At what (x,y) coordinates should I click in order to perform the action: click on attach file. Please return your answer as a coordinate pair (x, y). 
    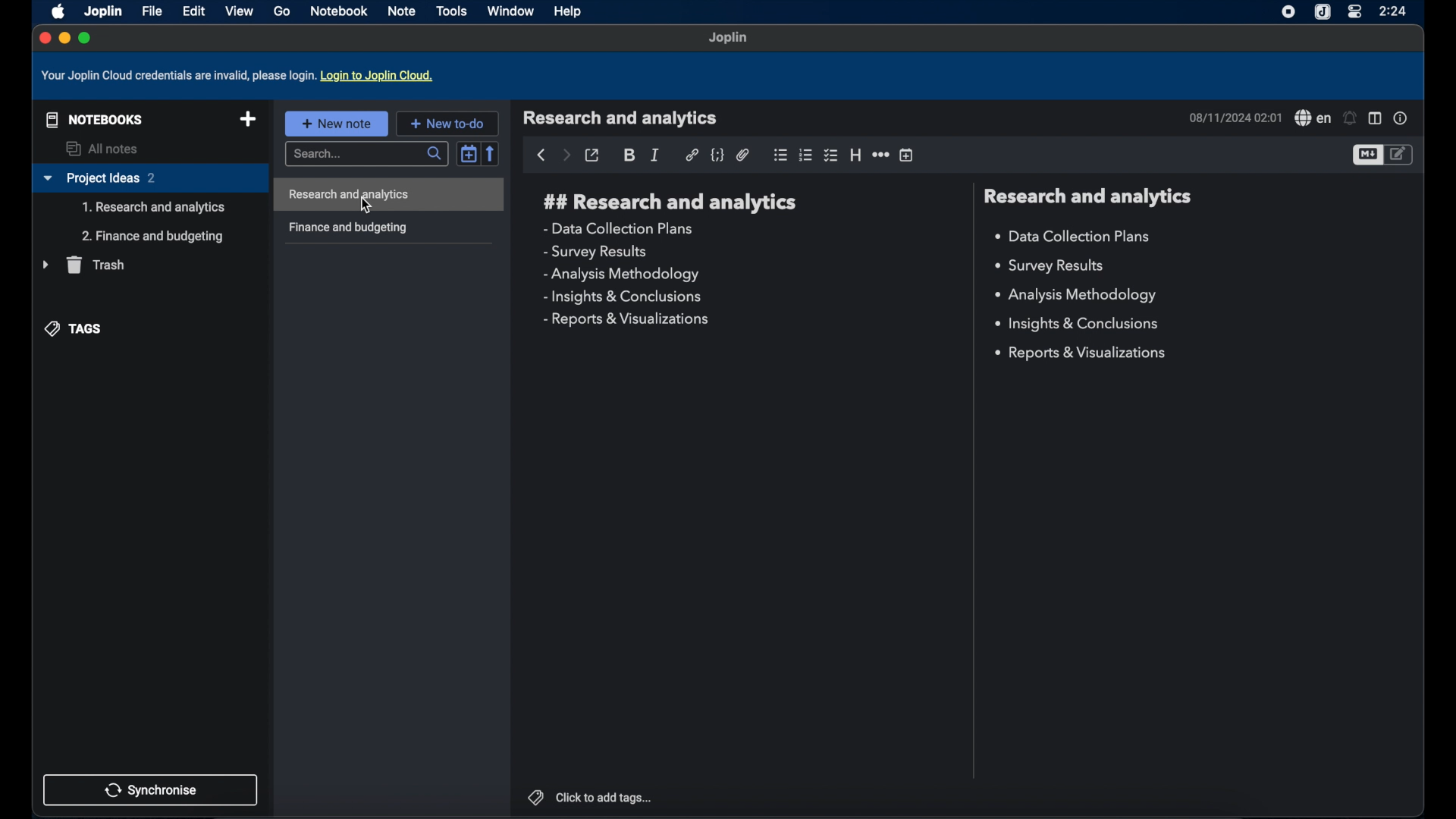
    Looking at the image, I should click on (743, 155).